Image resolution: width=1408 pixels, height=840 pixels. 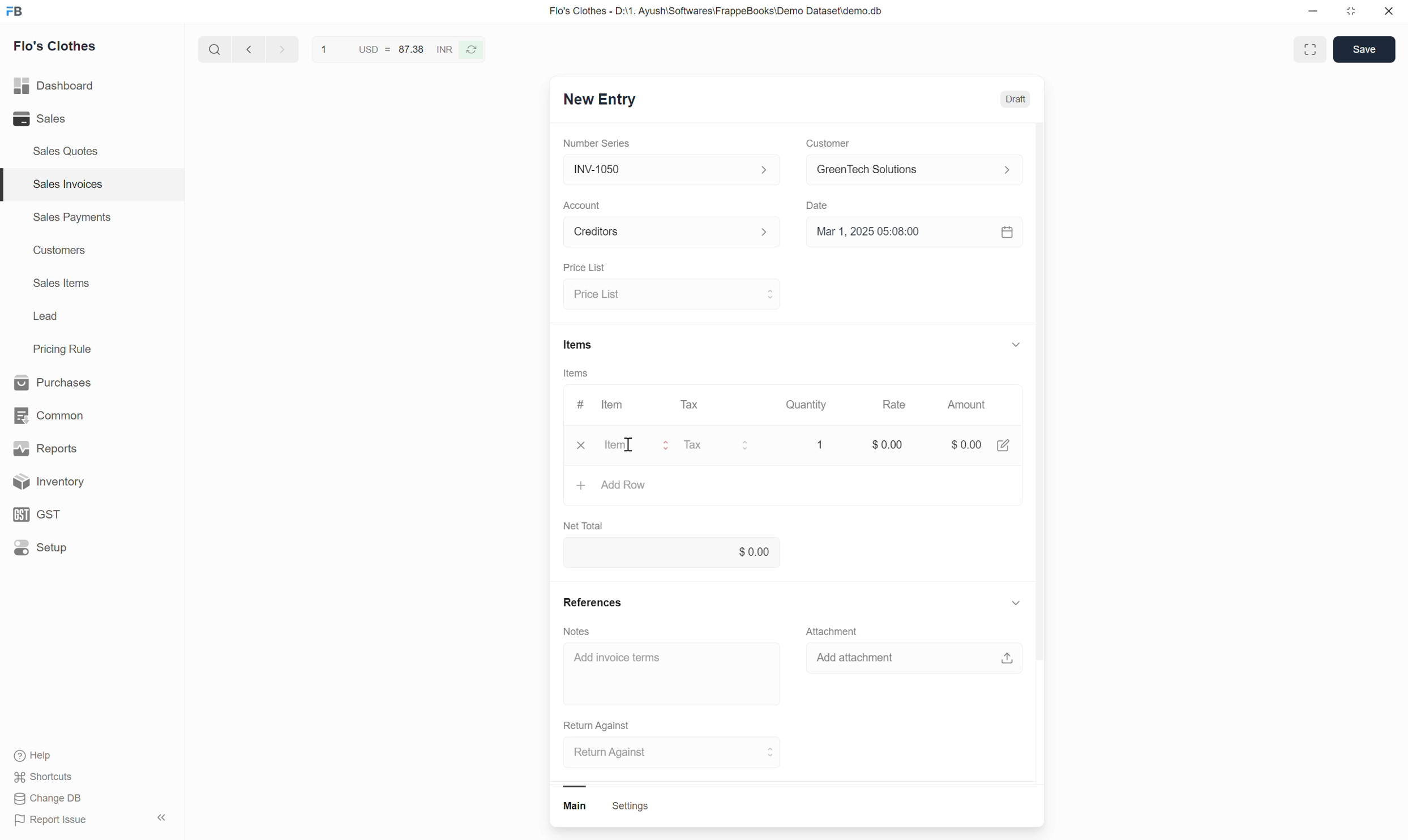 I want to click on Sales , so click(x=64, y=119).